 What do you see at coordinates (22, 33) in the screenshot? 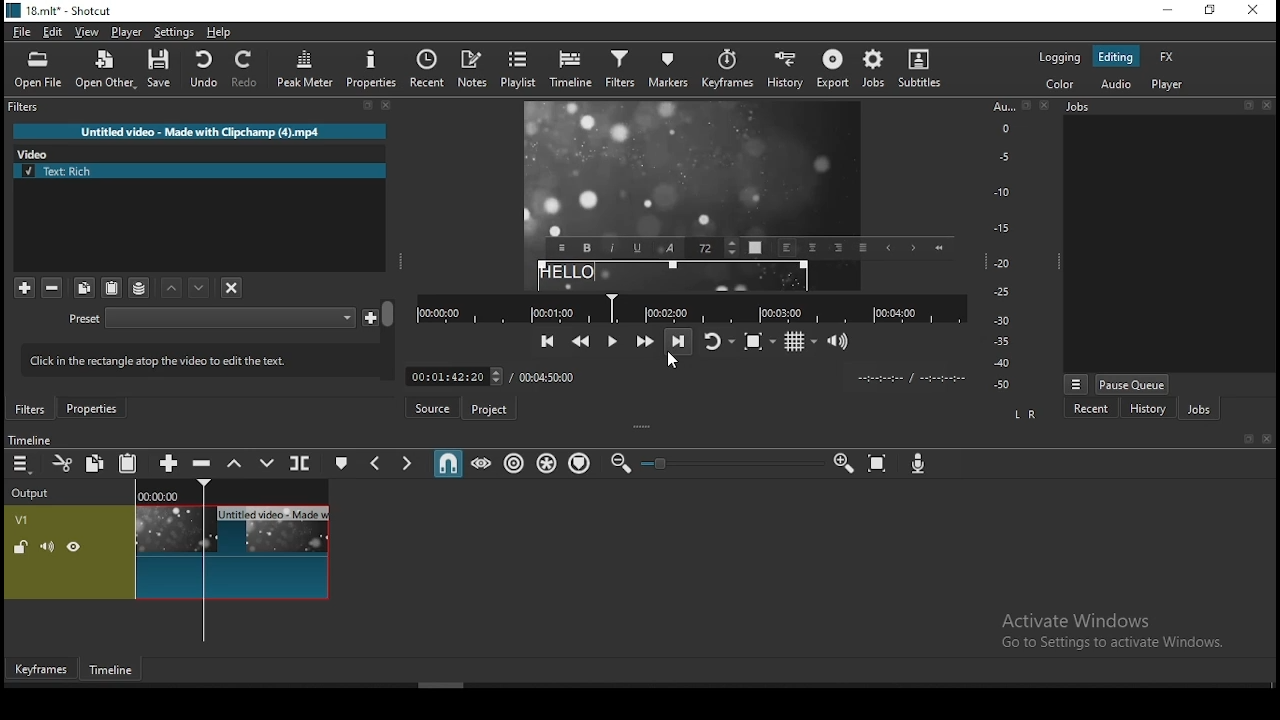
I see `file` at bounding box center [22, 33].